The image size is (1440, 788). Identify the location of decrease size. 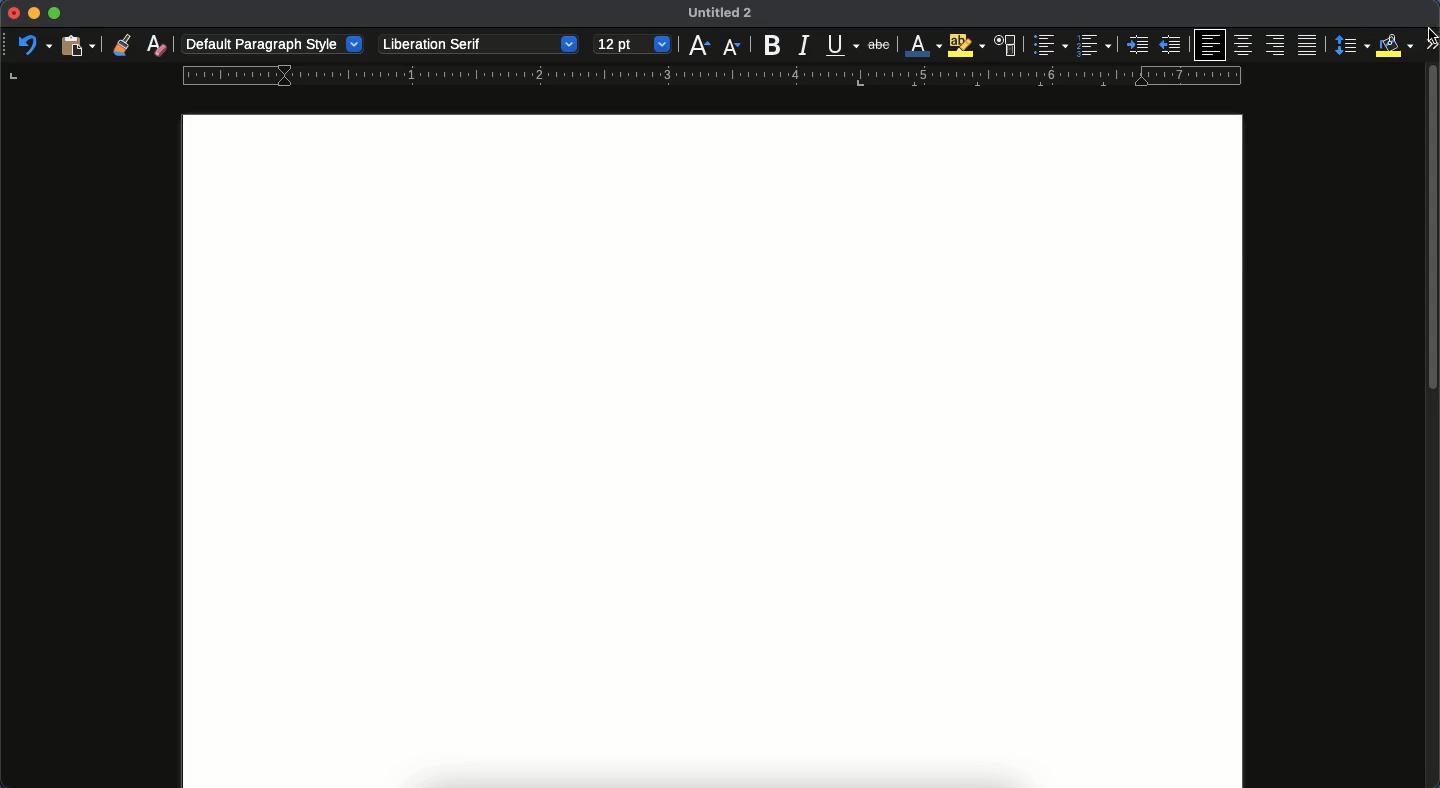
(732, 46).